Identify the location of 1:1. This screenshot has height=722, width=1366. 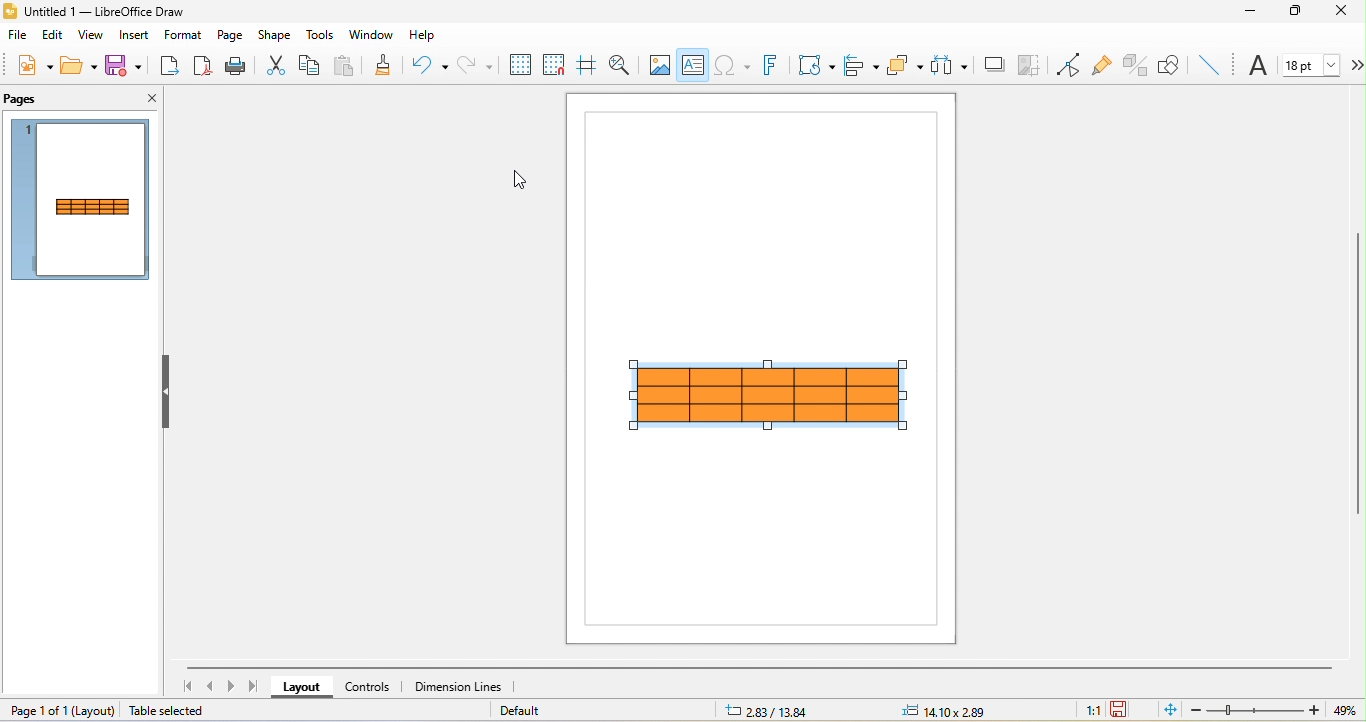
(1083, 710).